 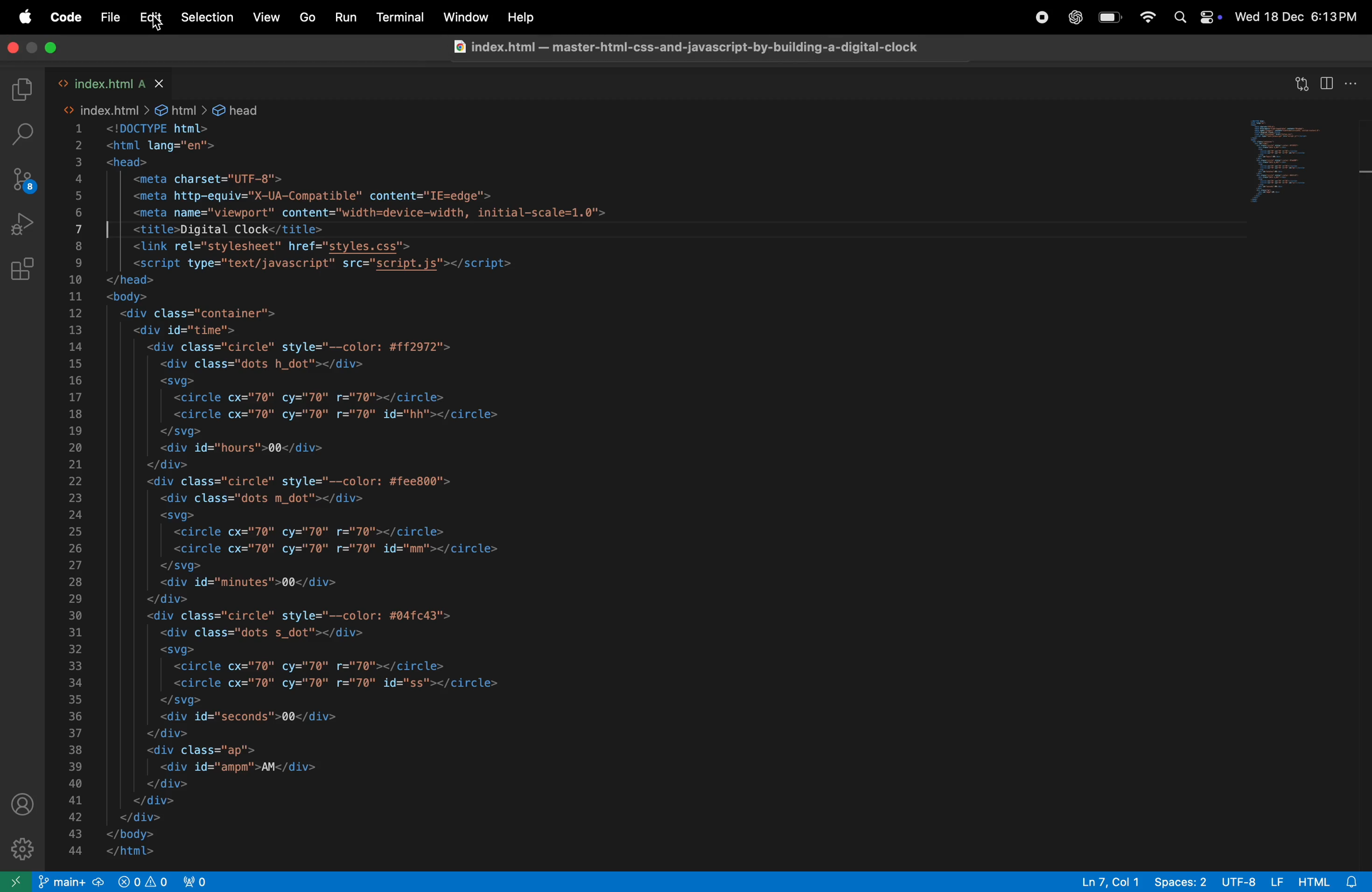 I want to click on file, so click(x=112, y=17).